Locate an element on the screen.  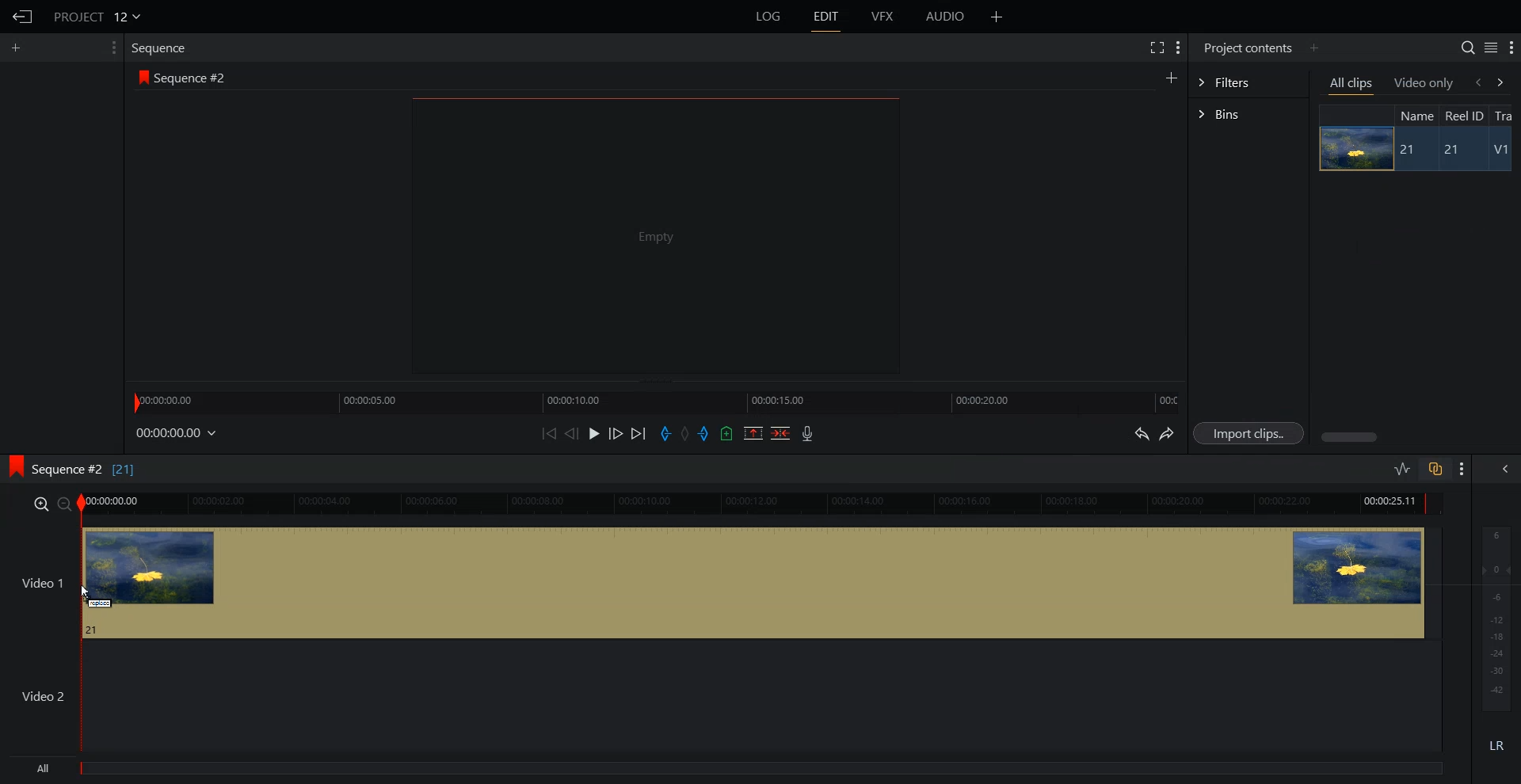
Horizontal Scroll bar is located at coordinates (1417, 437).